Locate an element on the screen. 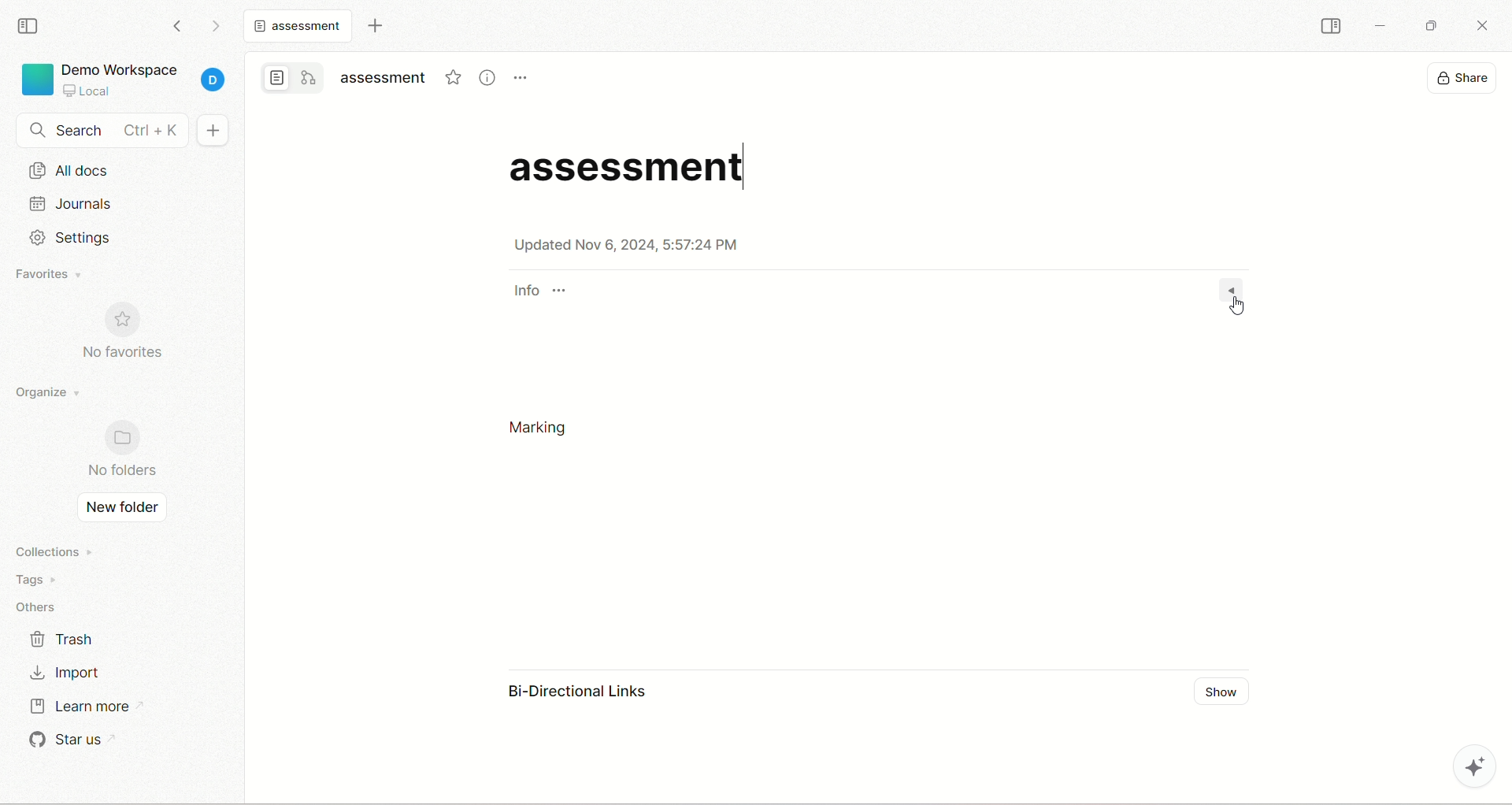 The image size is (1512, 805). trash is located at coordinates (65, 640).